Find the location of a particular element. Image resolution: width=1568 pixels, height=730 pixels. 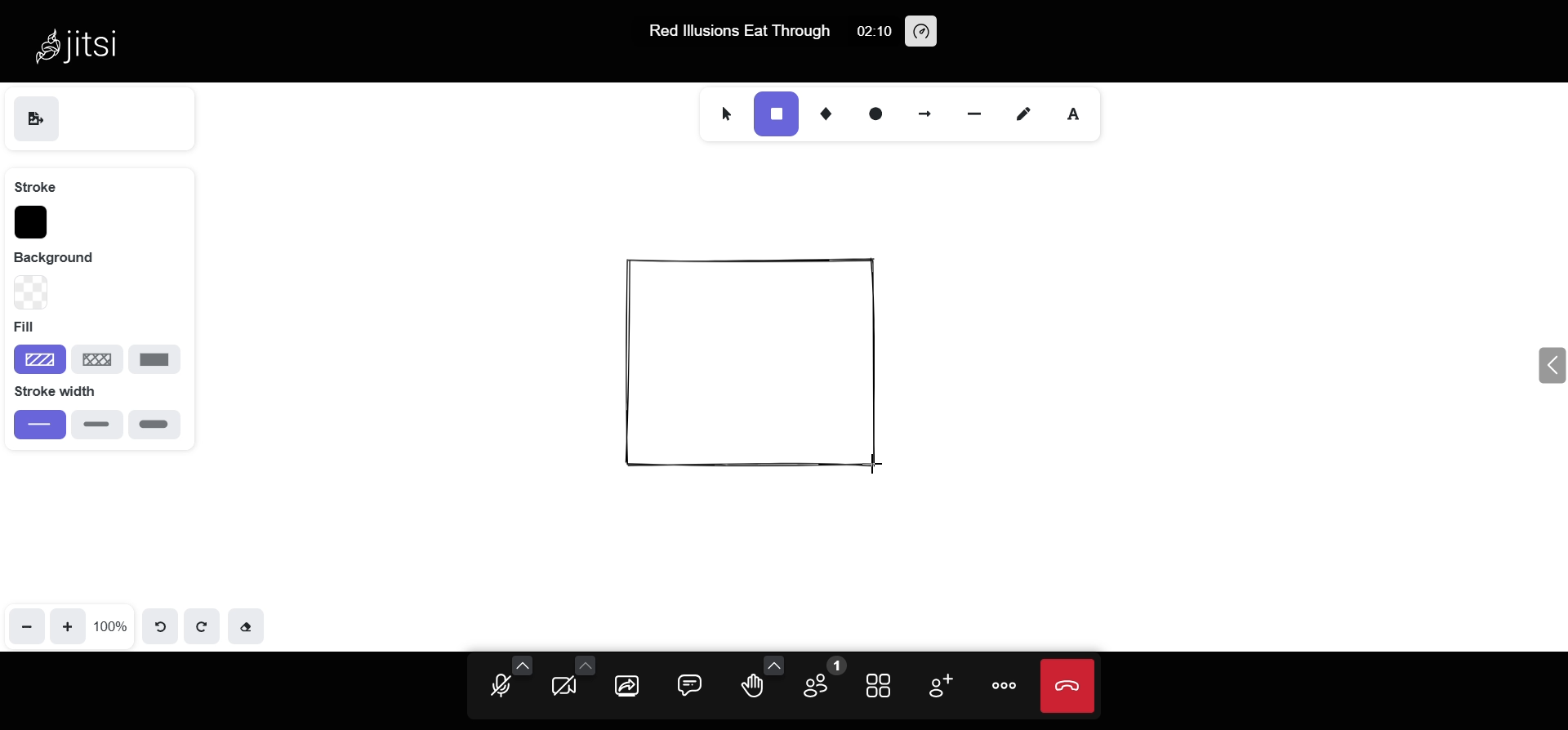

performance setting is located at coordinates (922, 31).